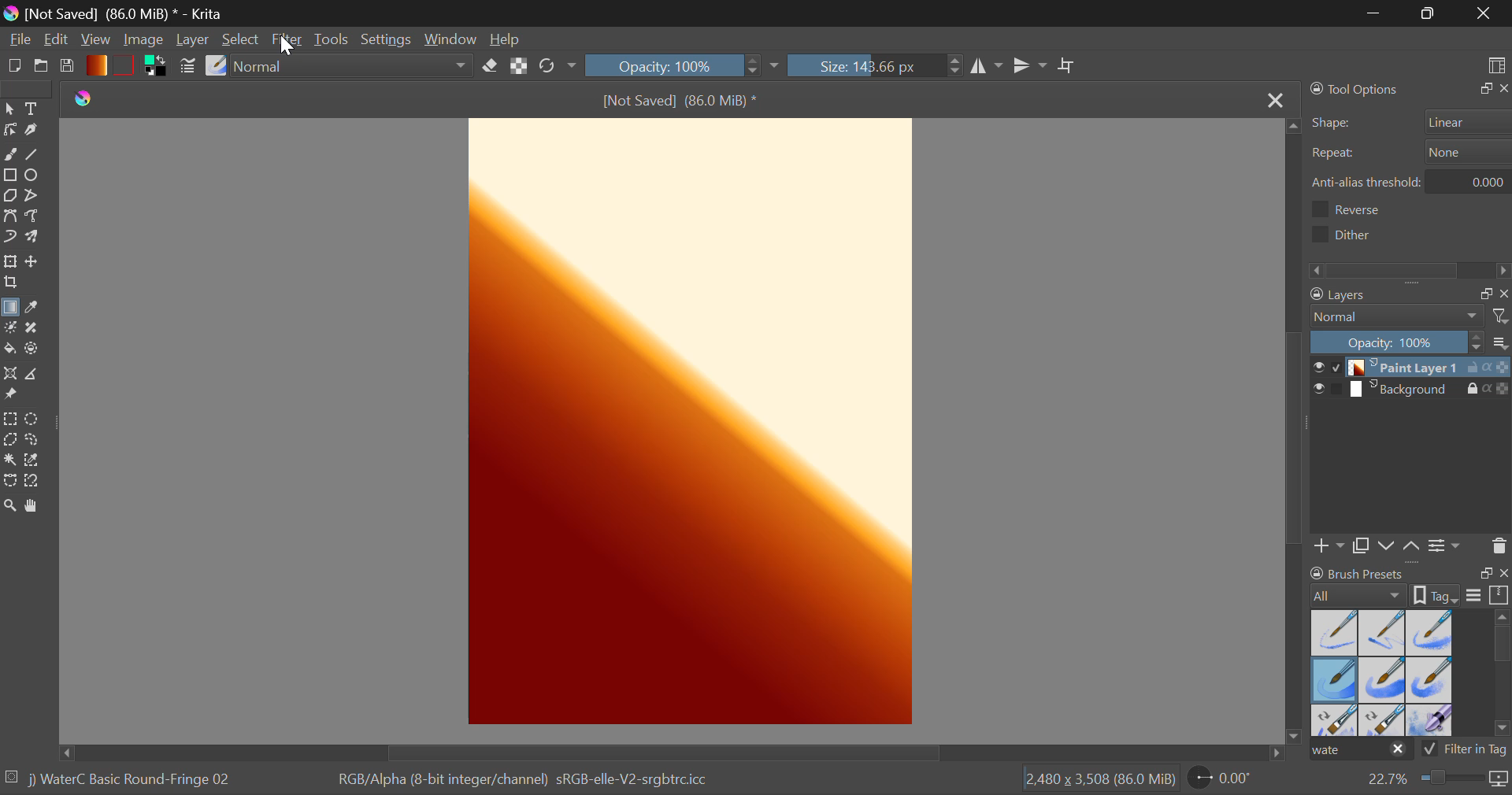 Image resolution: width=1512 pixels, height=795 pixels. Describe the element at coordinates (1273, 99) in the screenshot. I see `Close Tab` at that location.